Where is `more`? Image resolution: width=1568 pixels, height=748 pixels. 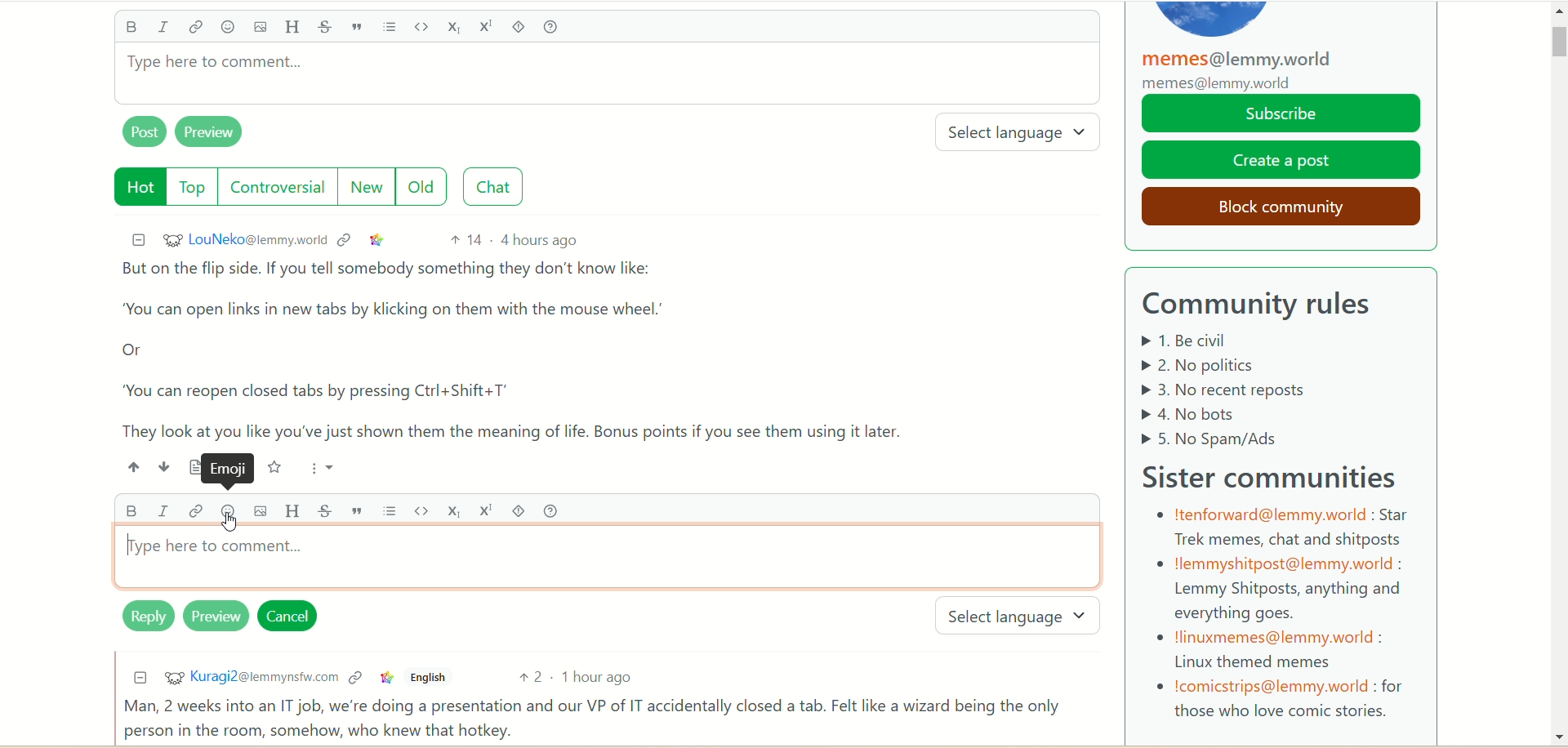
more is located at coordinates (317, 465).